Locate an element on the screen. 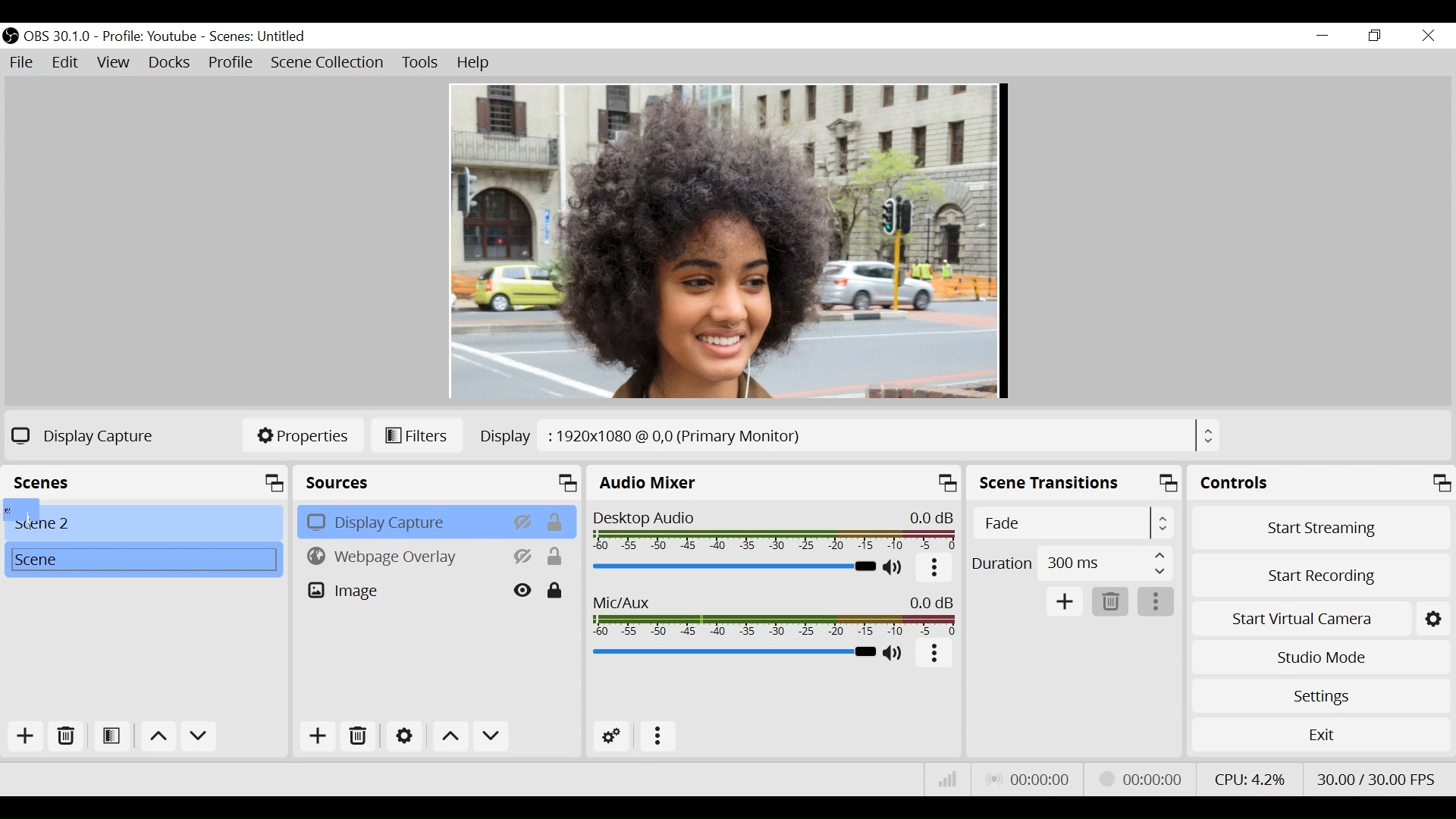 The width and height of the screenshot is (1456, 819). (un)mute is located at coordinates (895, 569).